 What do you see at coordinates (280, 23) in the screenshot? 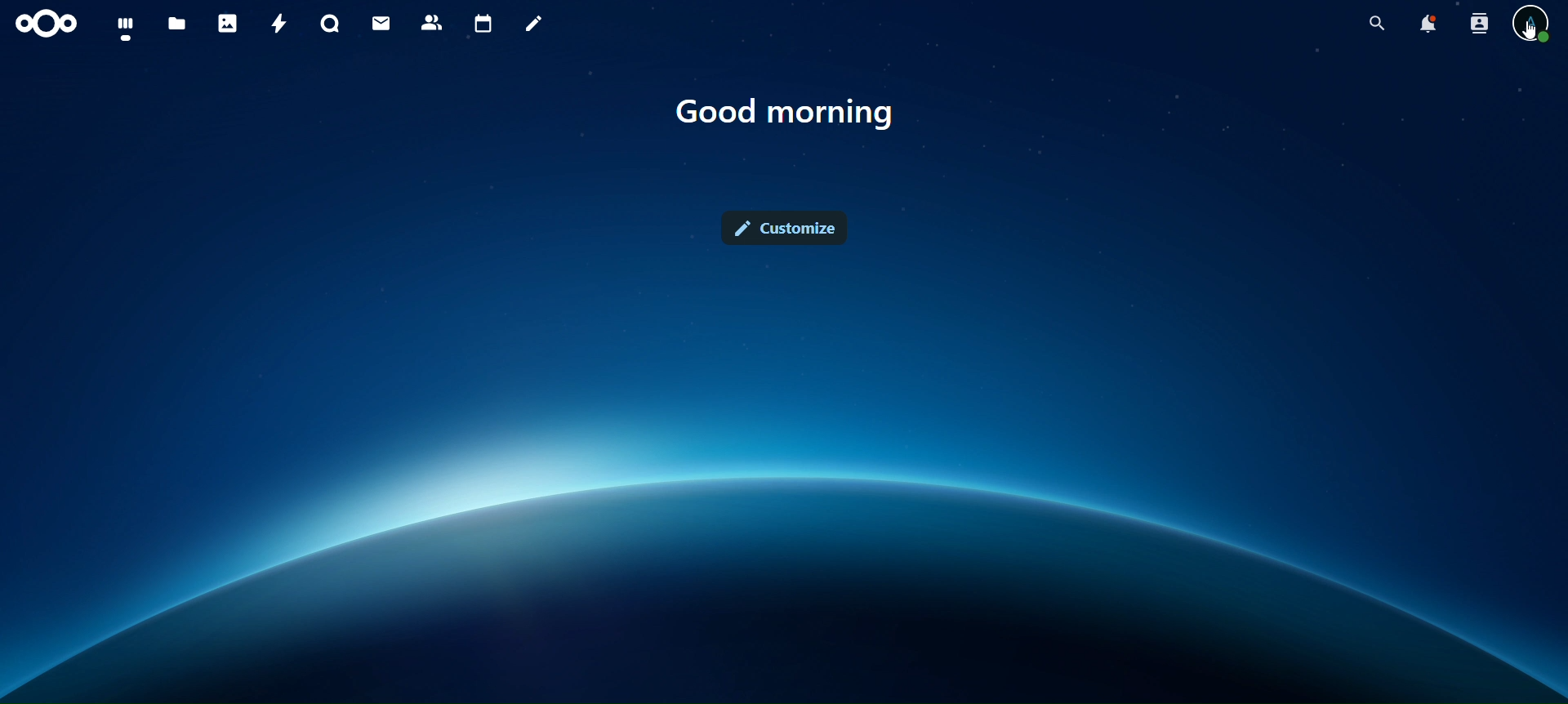
I see `activity` at bounding box center [280, 23].